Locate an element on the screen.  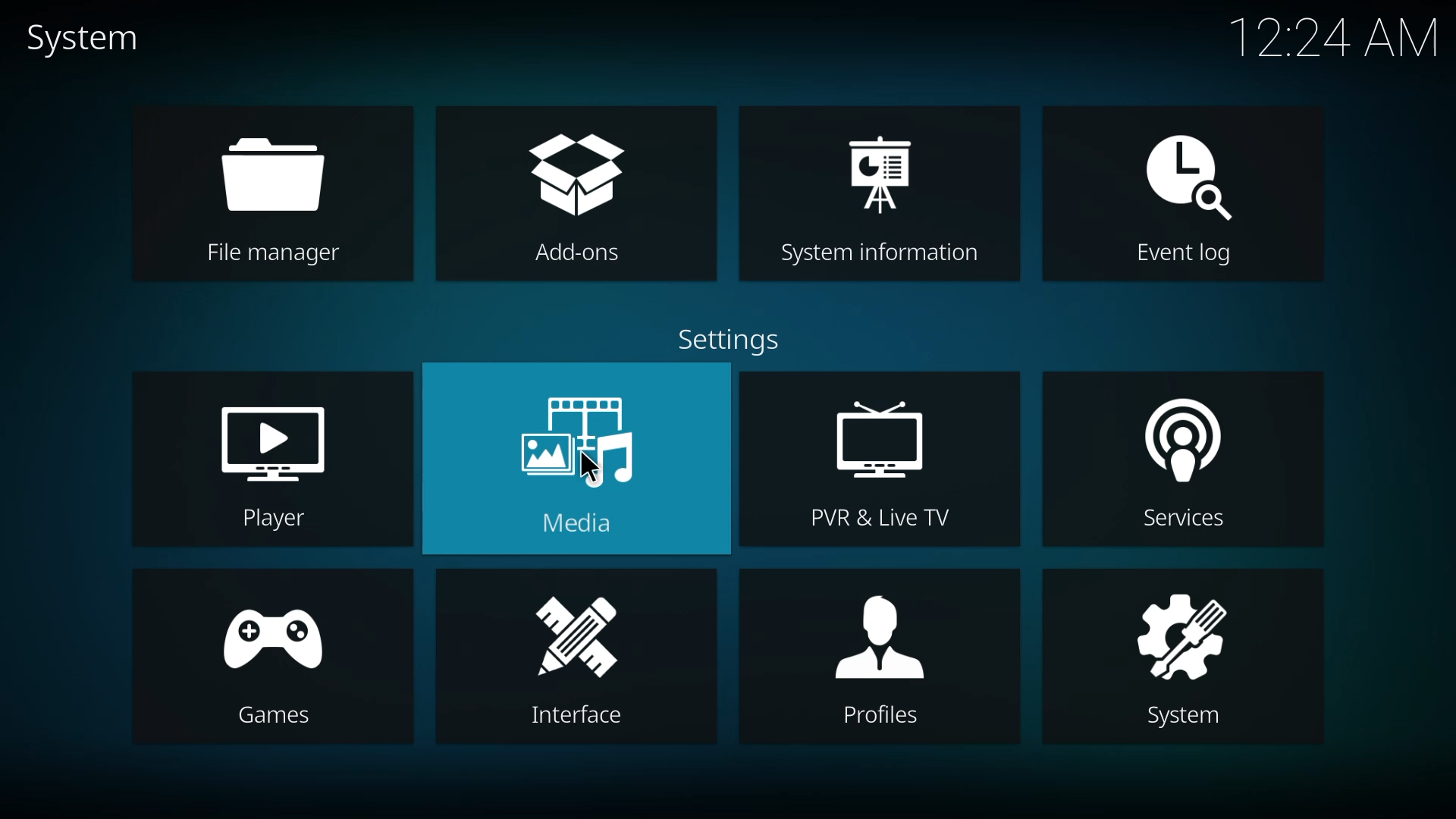
file manager is located at coordinates (271, 198).